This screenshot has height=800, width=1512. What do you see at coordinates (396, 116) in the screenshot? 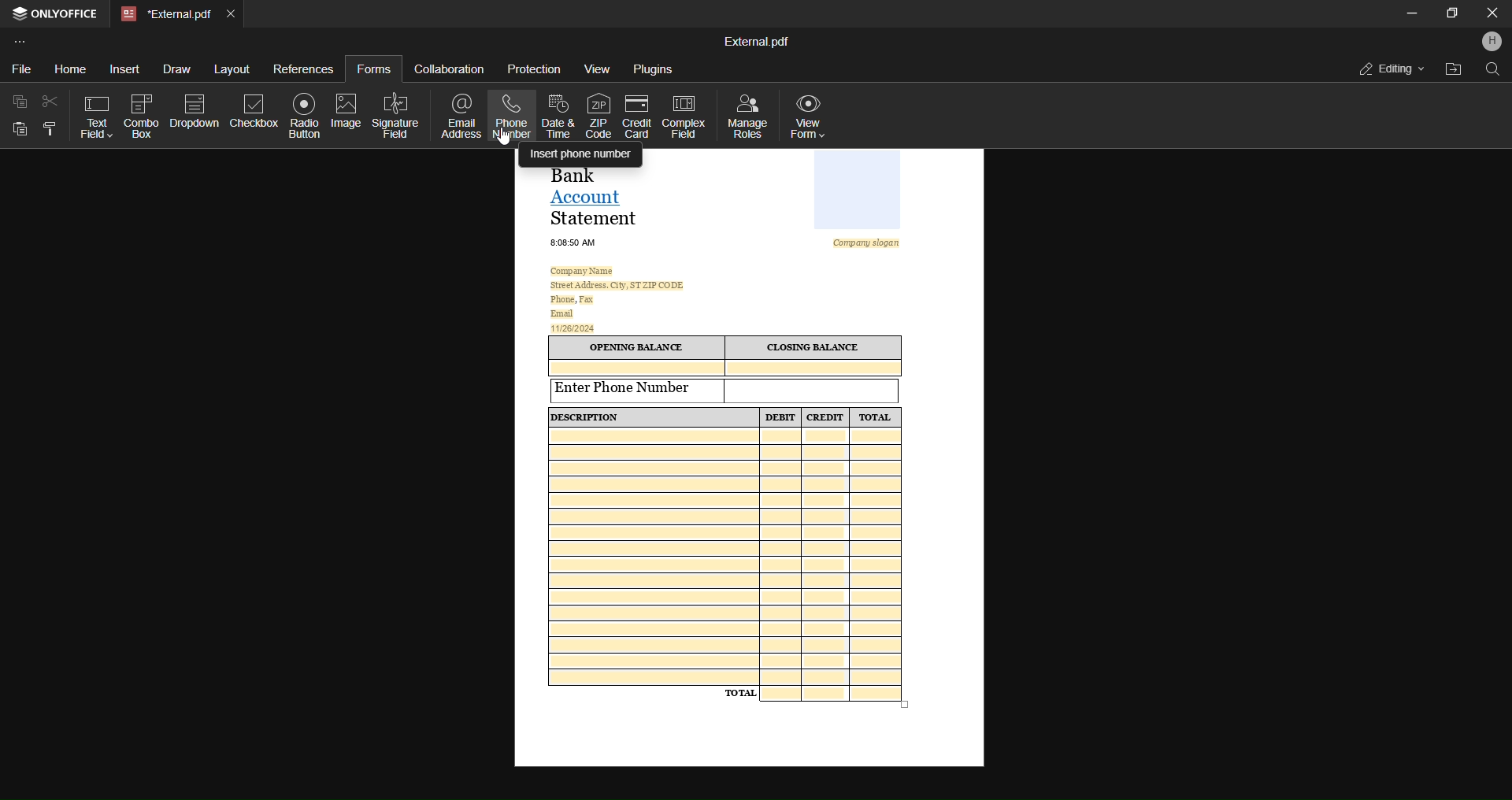
I see `signature field` at bounding box center [396, 116].